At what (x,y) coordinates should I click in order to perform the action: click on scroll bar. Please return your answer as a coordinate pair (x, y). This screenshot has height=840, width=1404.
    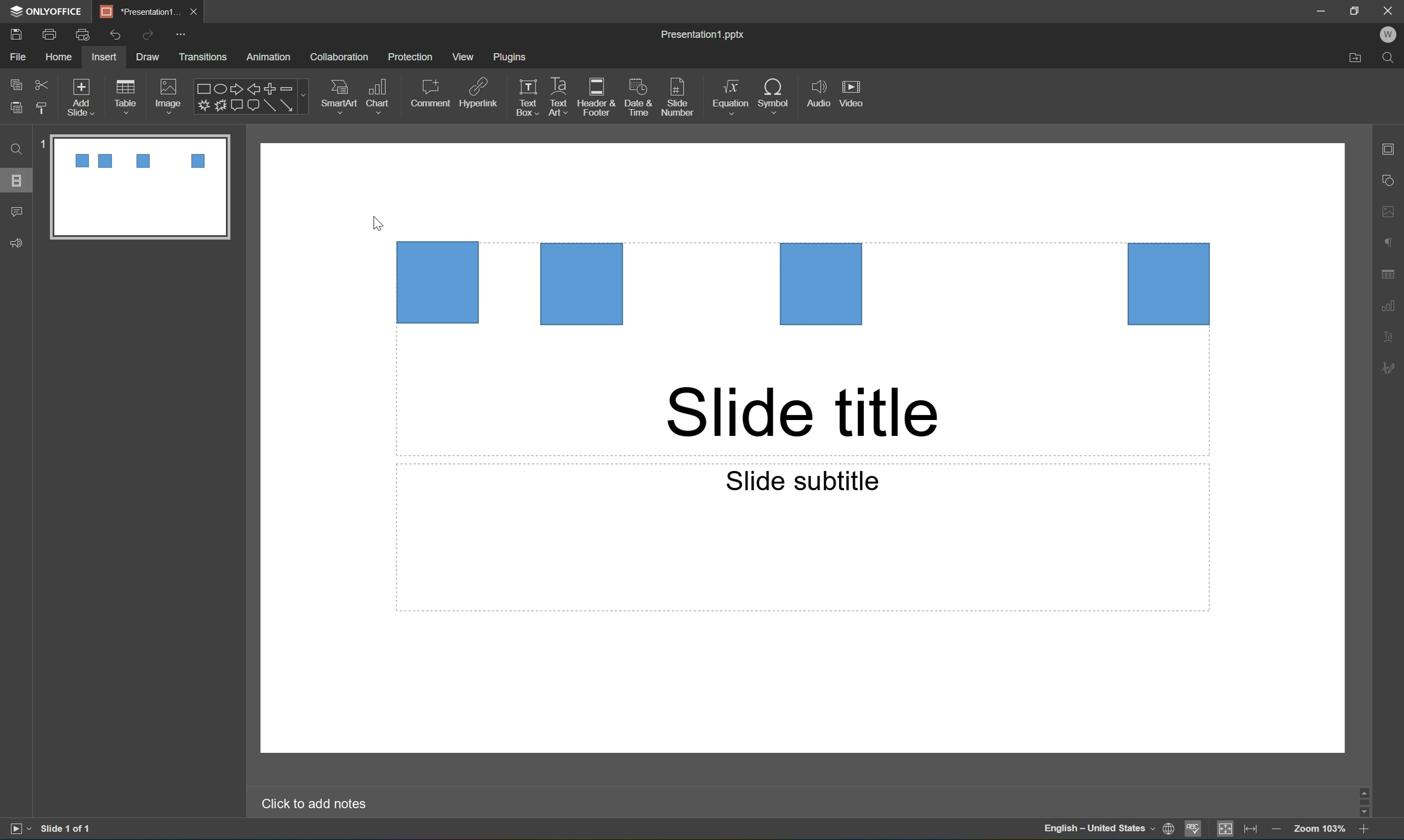
    Looking at the image, I should click on (1367, 801).